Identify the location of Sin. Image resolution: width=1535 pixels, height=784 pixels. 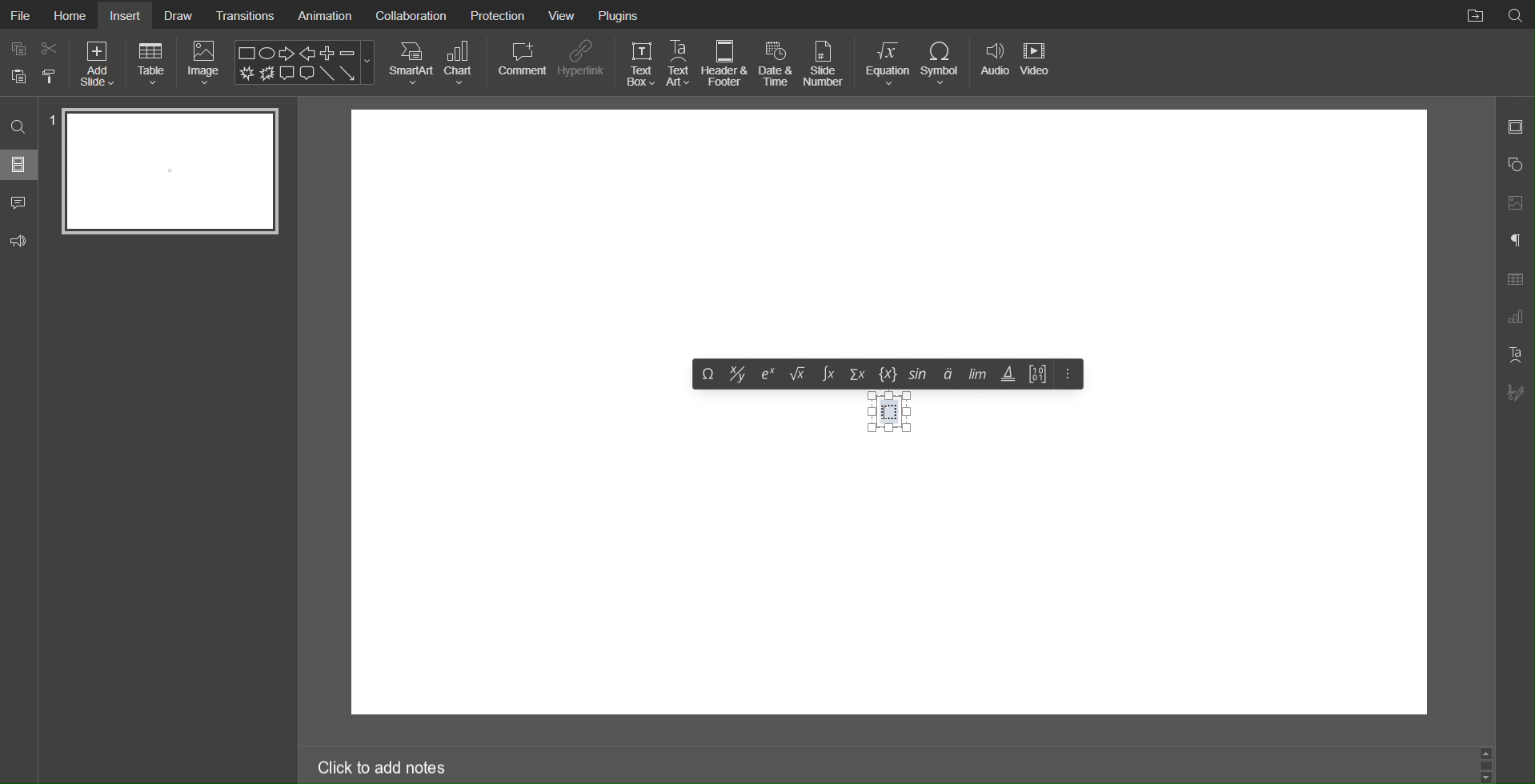
(920, 374).